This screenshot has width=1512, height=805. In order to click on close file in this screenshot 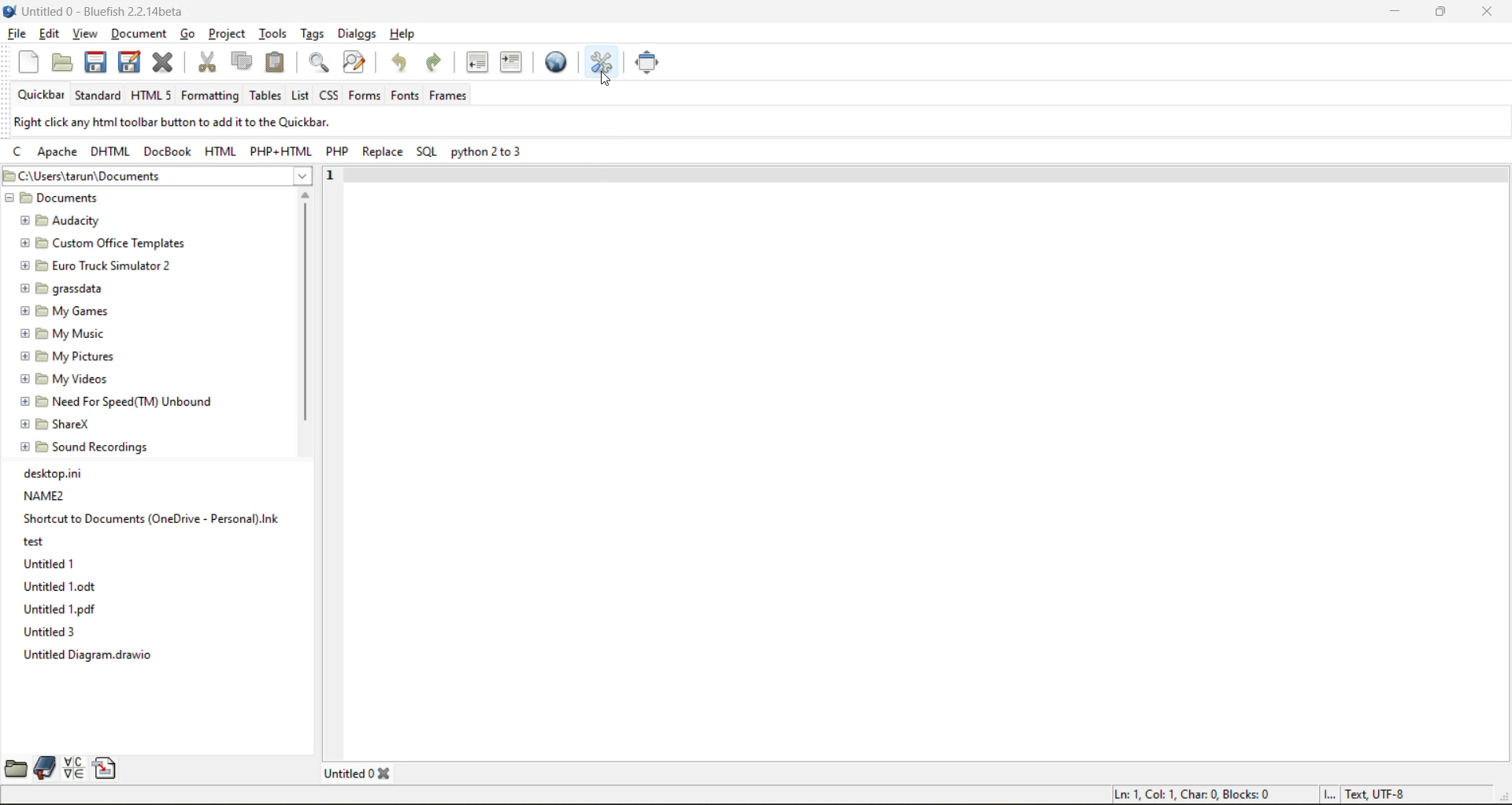, I will do `click(164, 63)`.